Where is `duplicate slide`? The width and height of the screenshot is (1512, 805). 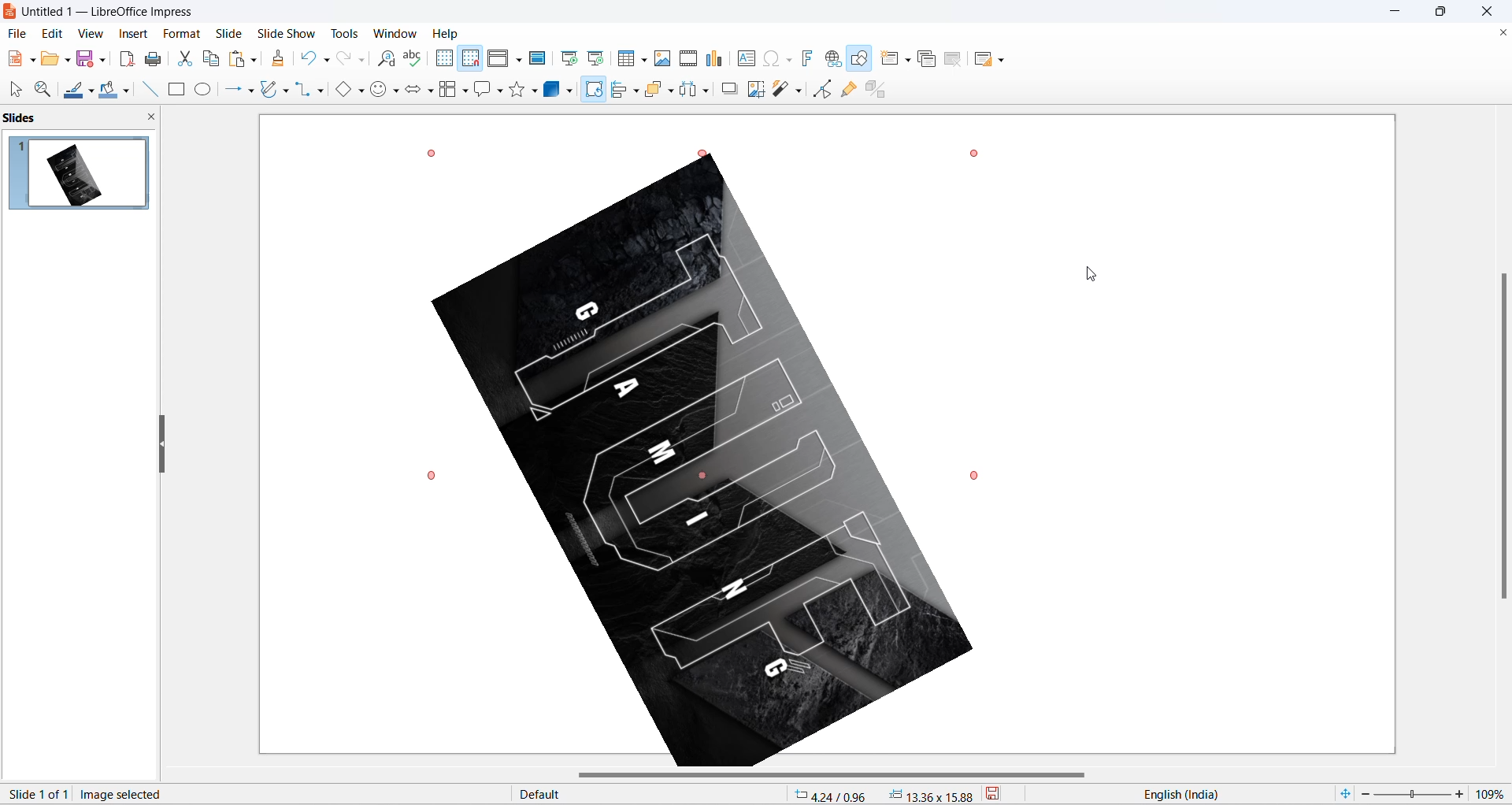
duplicate slide is located at coordinates (927, 61).